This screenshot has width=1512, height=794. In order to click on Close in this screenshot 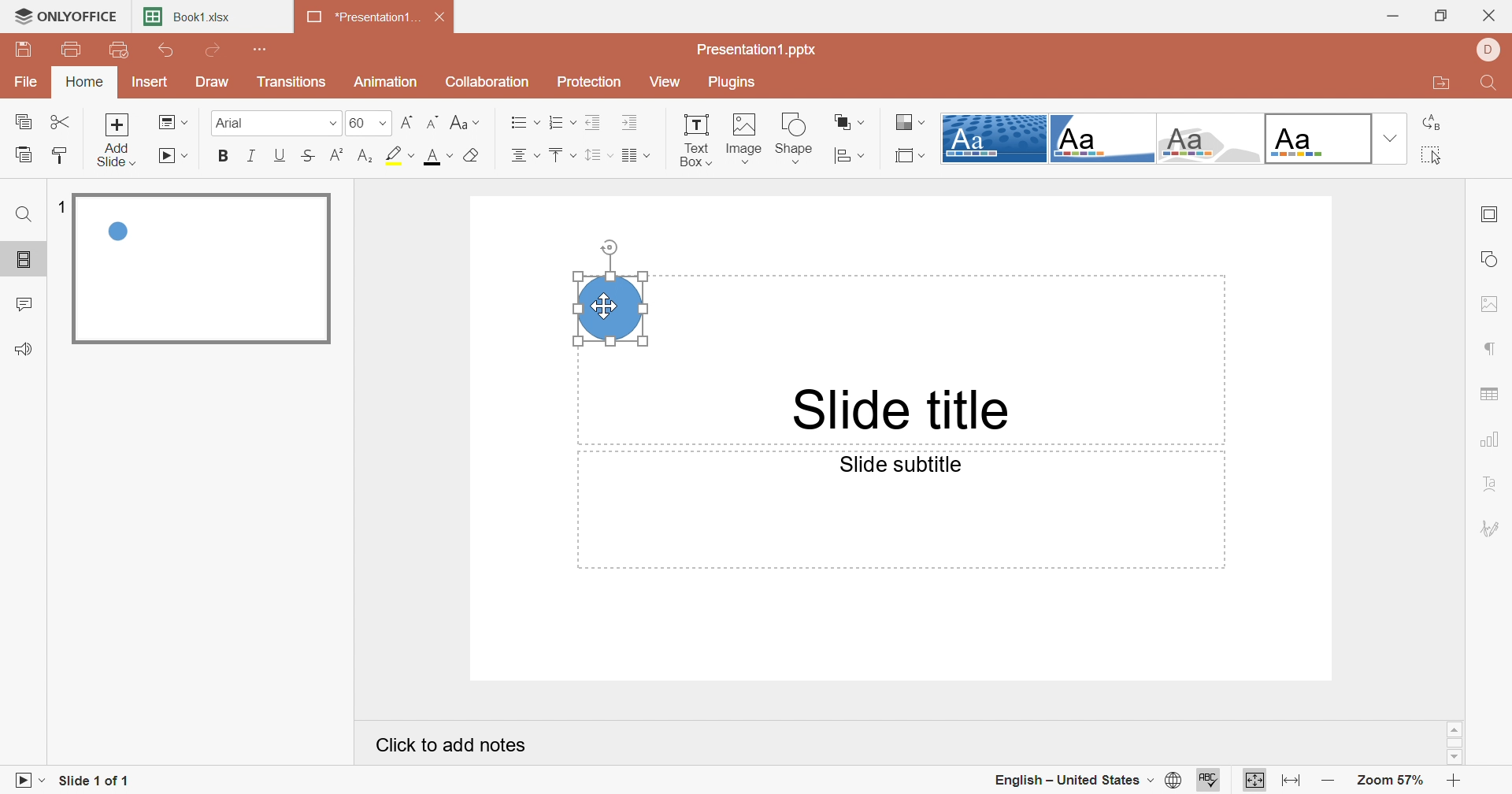, I will do `click(1494, 12)`.